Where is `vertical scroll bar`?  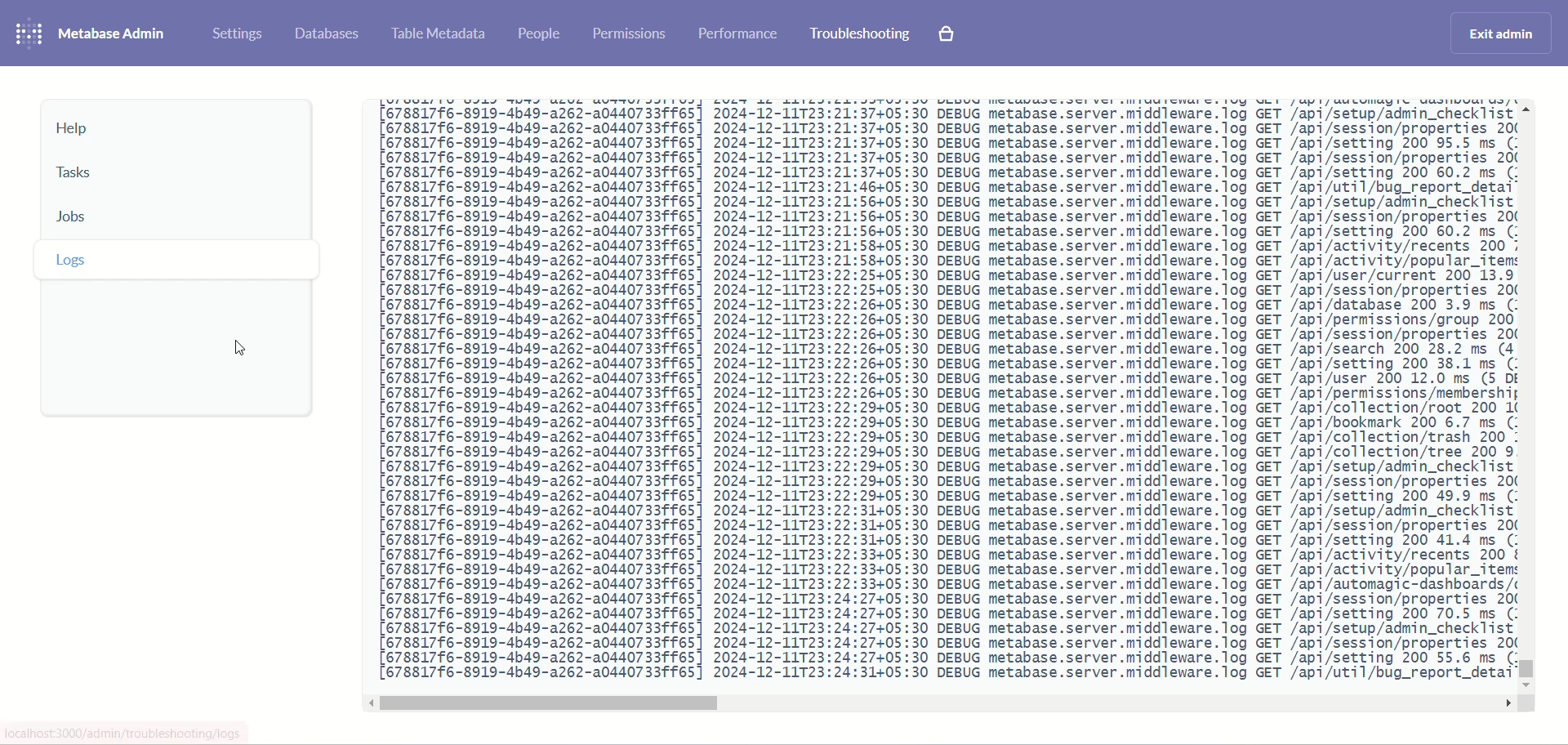
vertical scroll bar is located at coordinates (1530, 395).